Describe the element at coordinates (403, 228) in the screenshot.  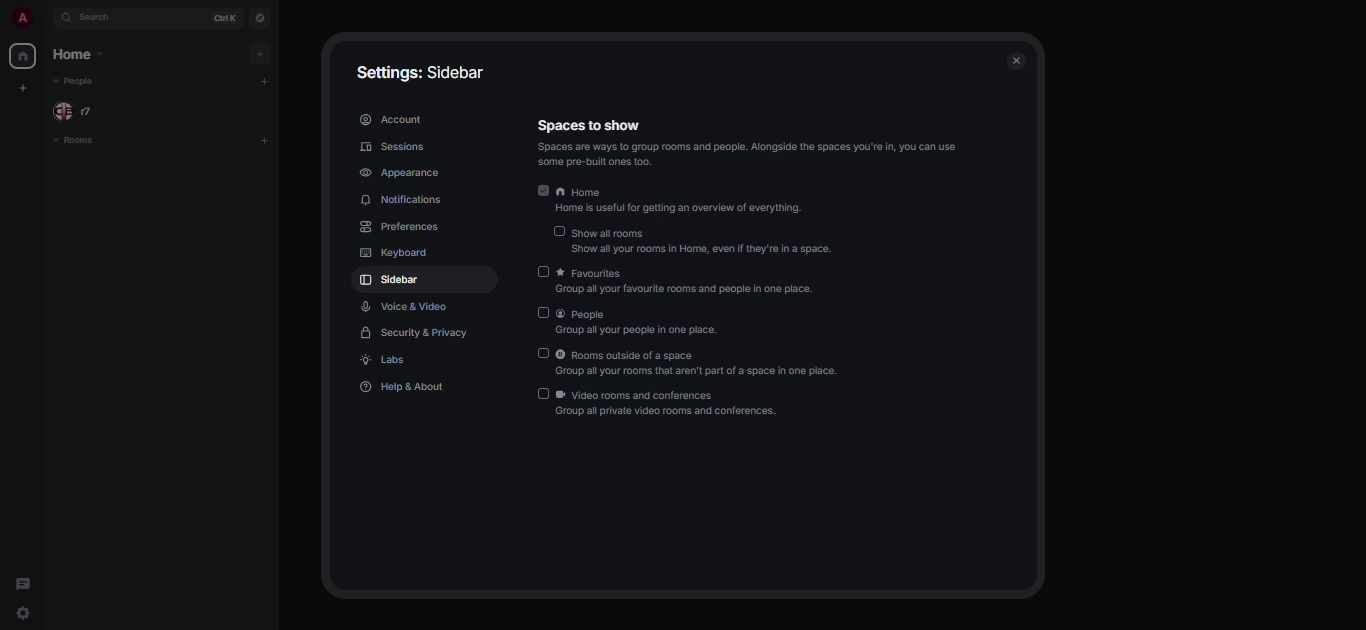
I see `preferences` at that location.